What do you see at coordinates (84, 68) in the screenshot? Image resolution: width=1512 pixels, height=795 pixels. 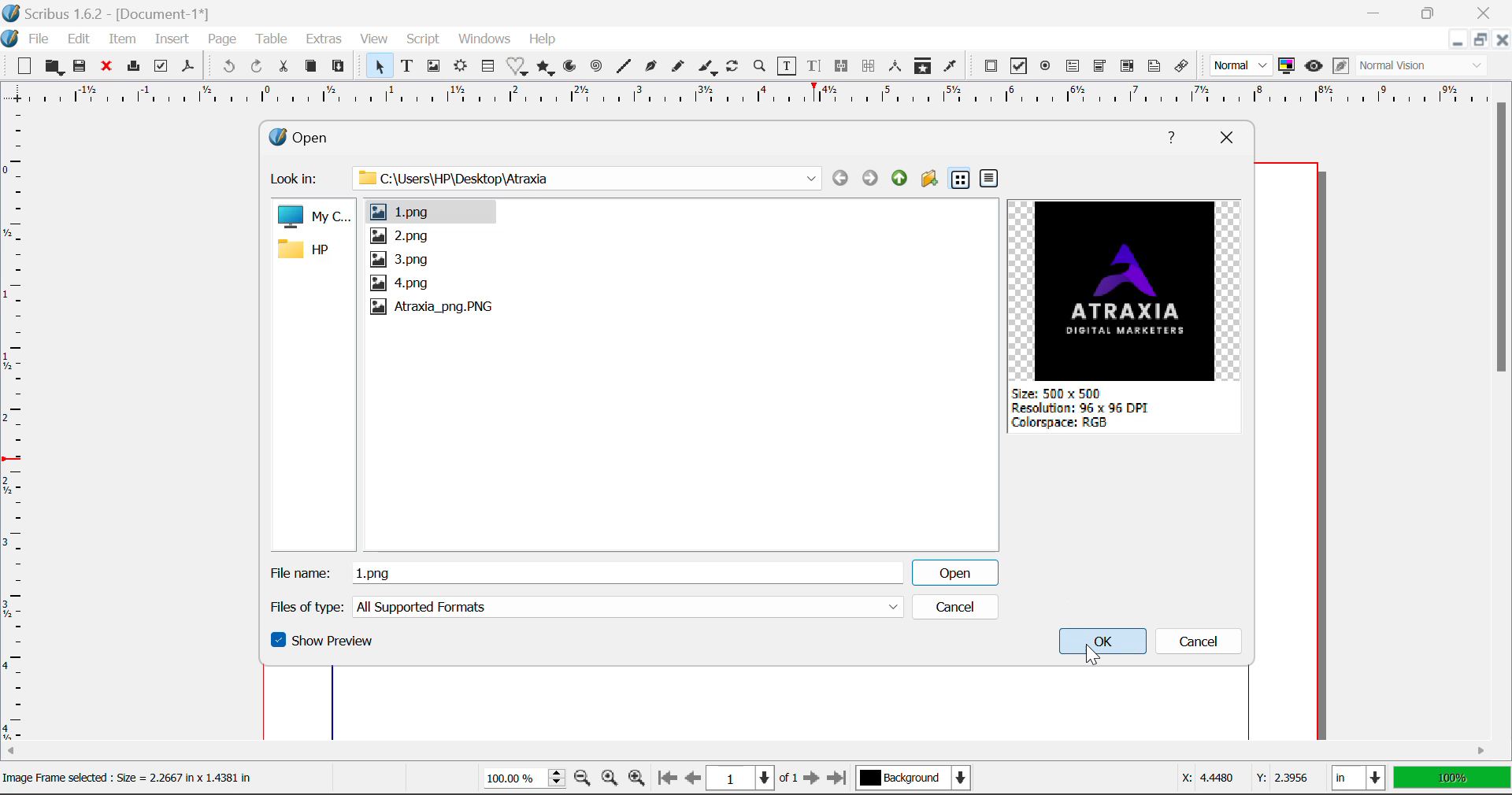 I see `Save` at bounding box center [84, 68].